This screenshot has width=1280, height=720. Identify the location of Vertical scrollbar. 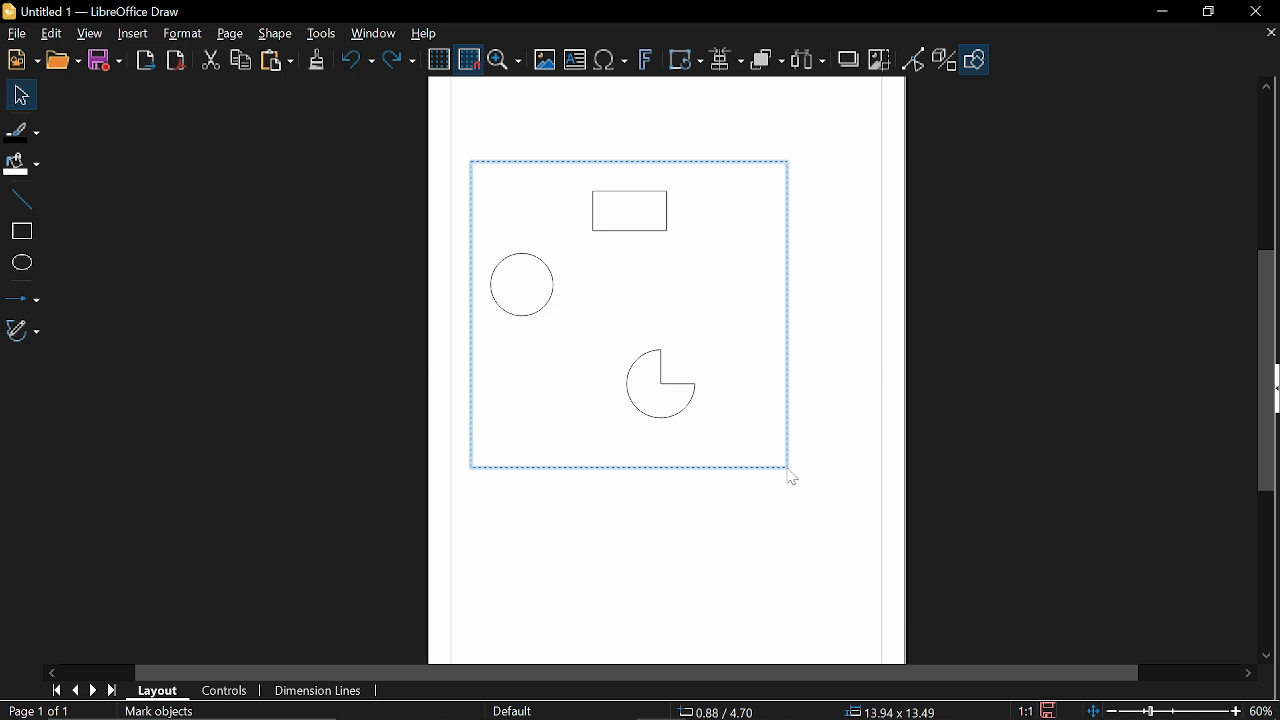
(1266, 370).